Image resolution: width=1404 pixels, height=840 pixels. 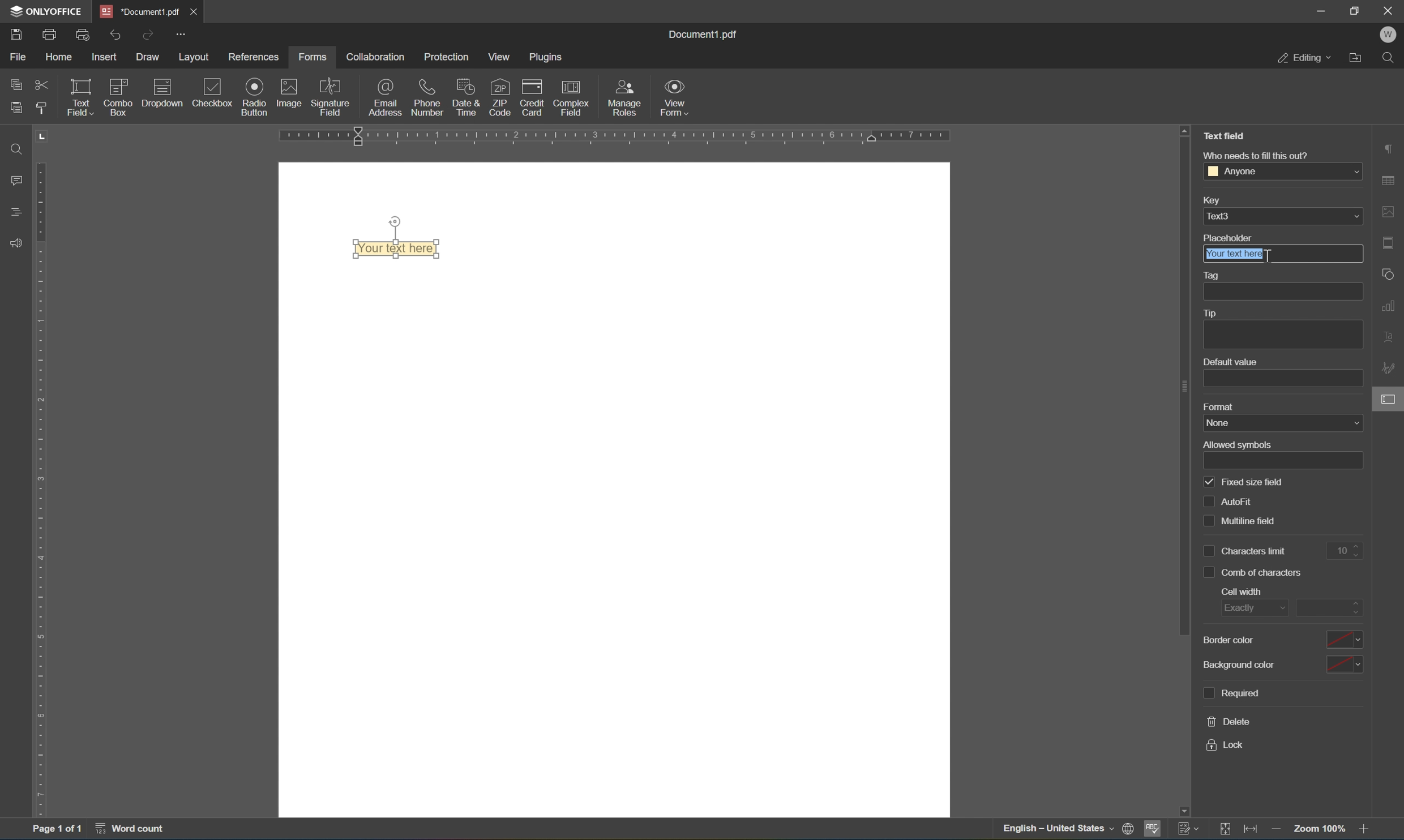 What do you see at coordinates (17, 56) in the screenshot?
I see `file` at bounding box center [17, 56].